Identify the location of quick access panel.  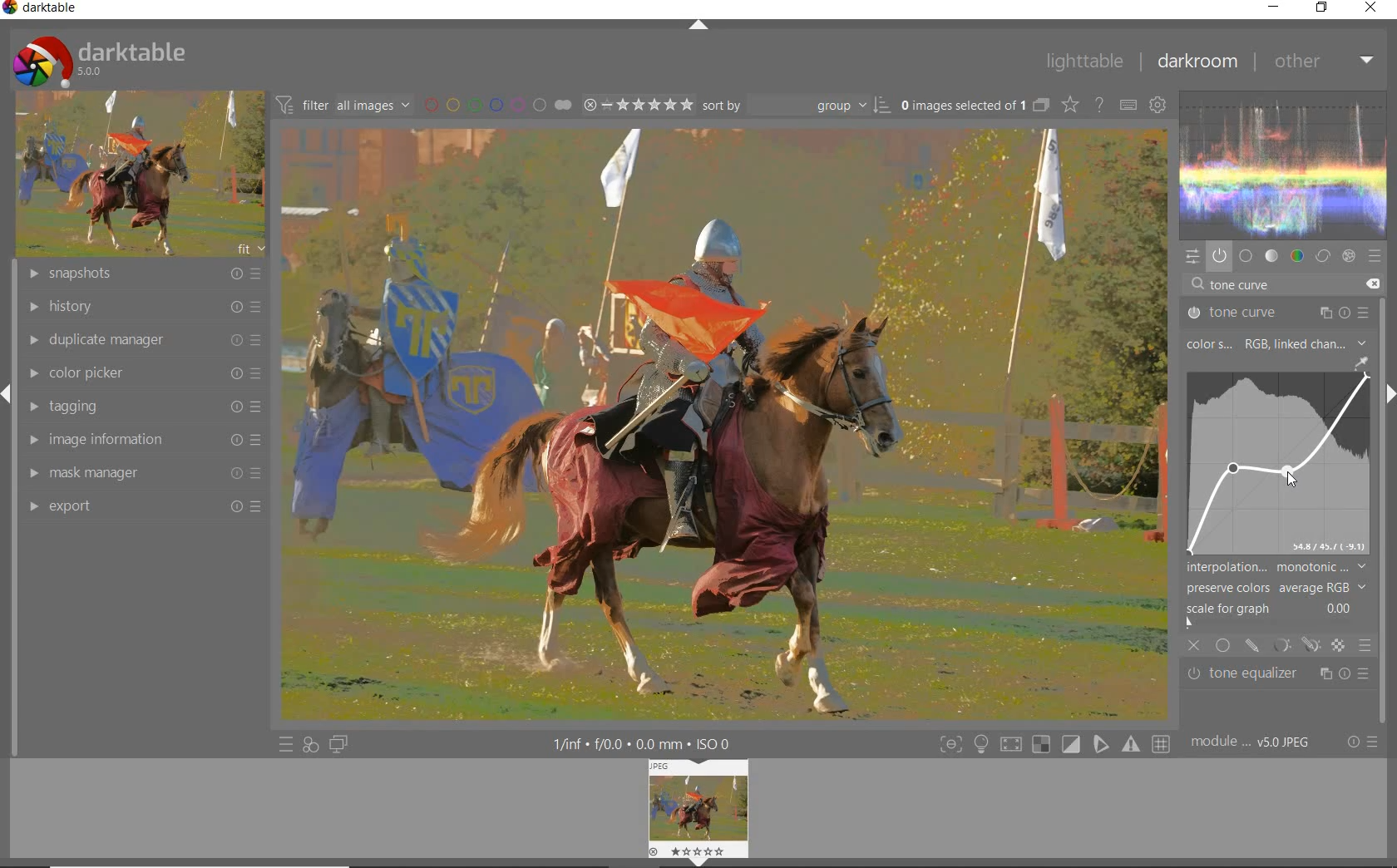
(1190, 256).